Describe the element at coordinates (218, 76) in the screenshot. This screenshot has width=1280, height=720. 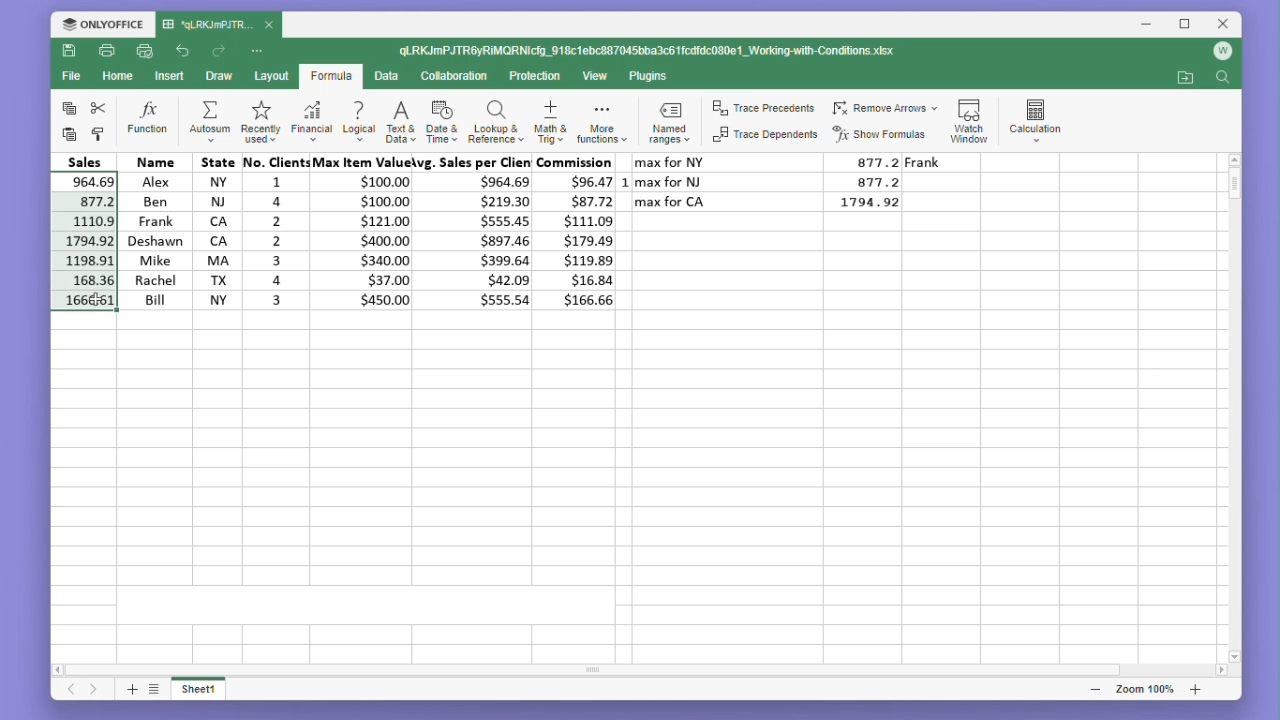
I see `Draw` at that location.